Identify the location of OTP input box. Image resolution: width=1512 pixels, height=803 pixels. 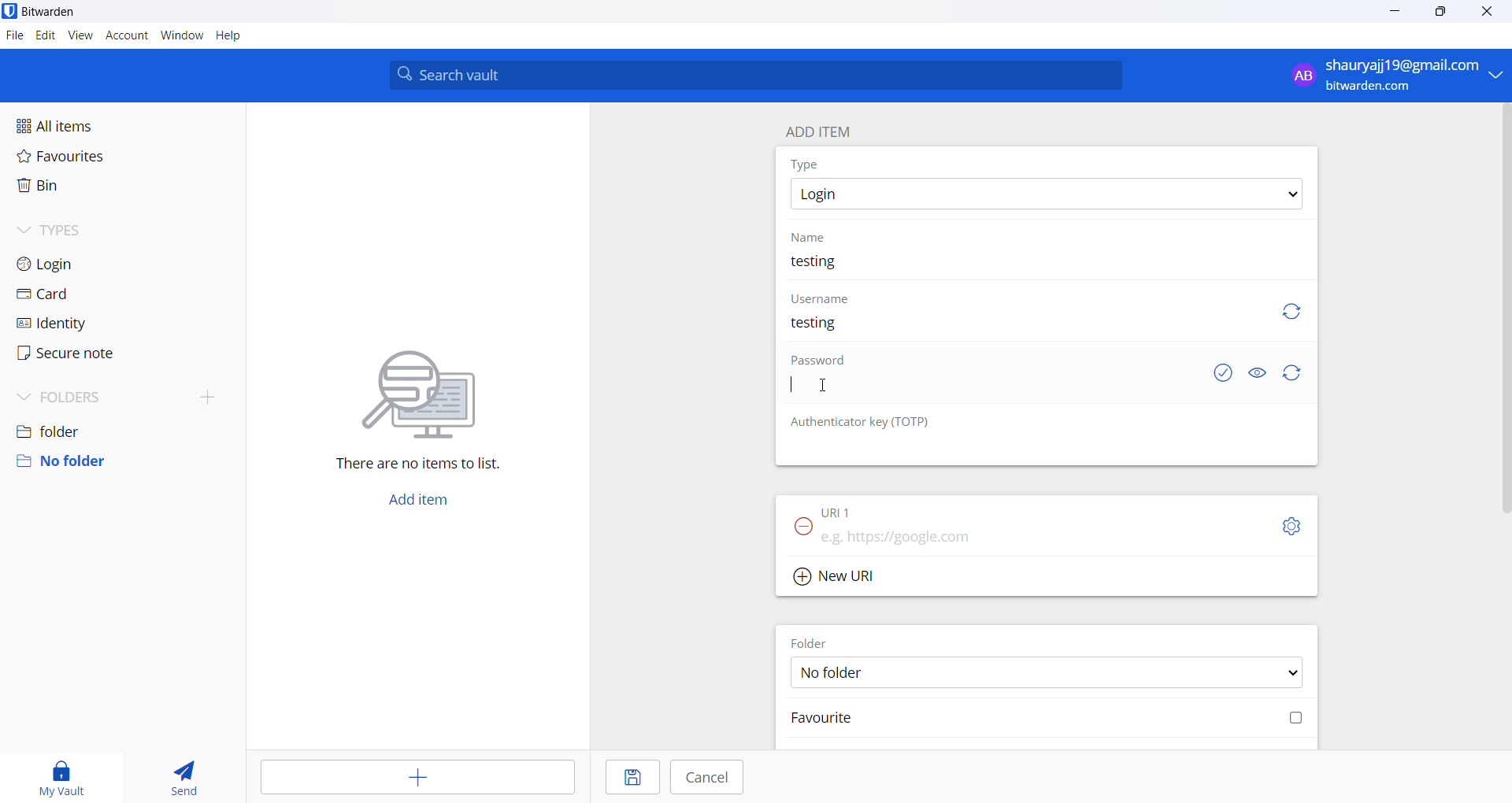
(1026, 451).